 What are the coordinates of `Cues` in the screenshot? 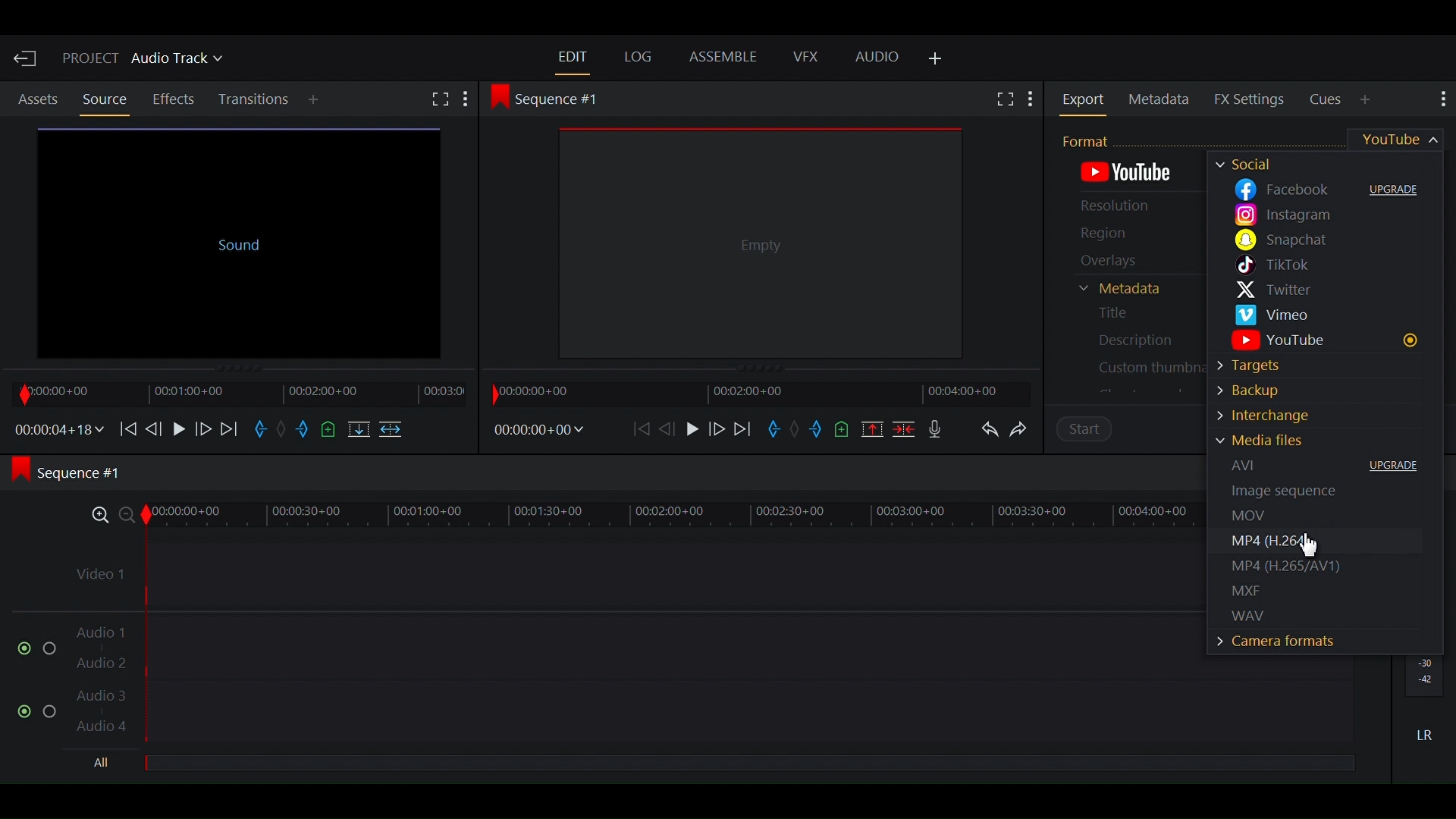 It's located at (1327, 100).